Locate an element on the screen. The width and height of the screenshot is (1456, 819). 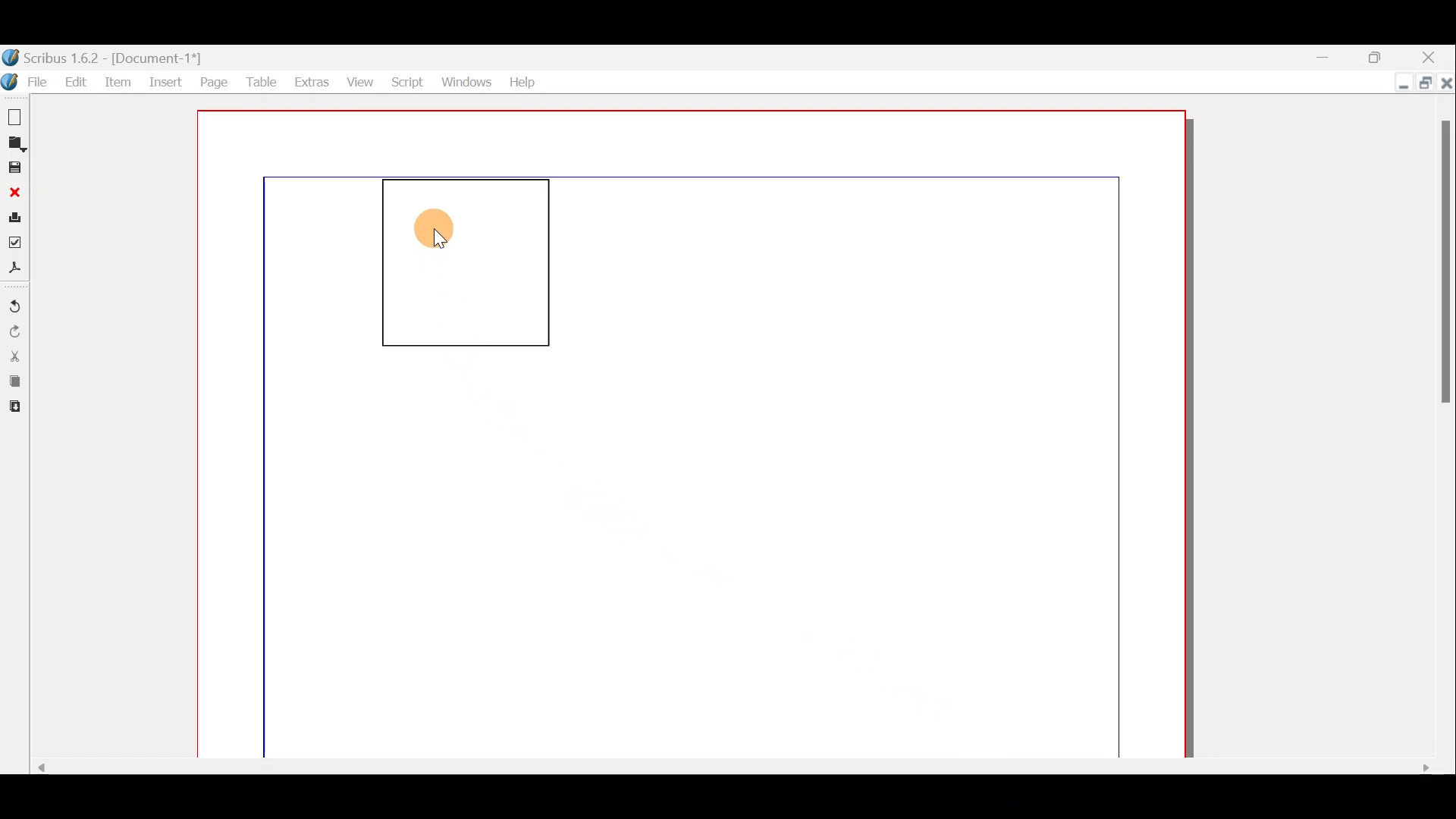
Close is located at coordinates (1446, 81).